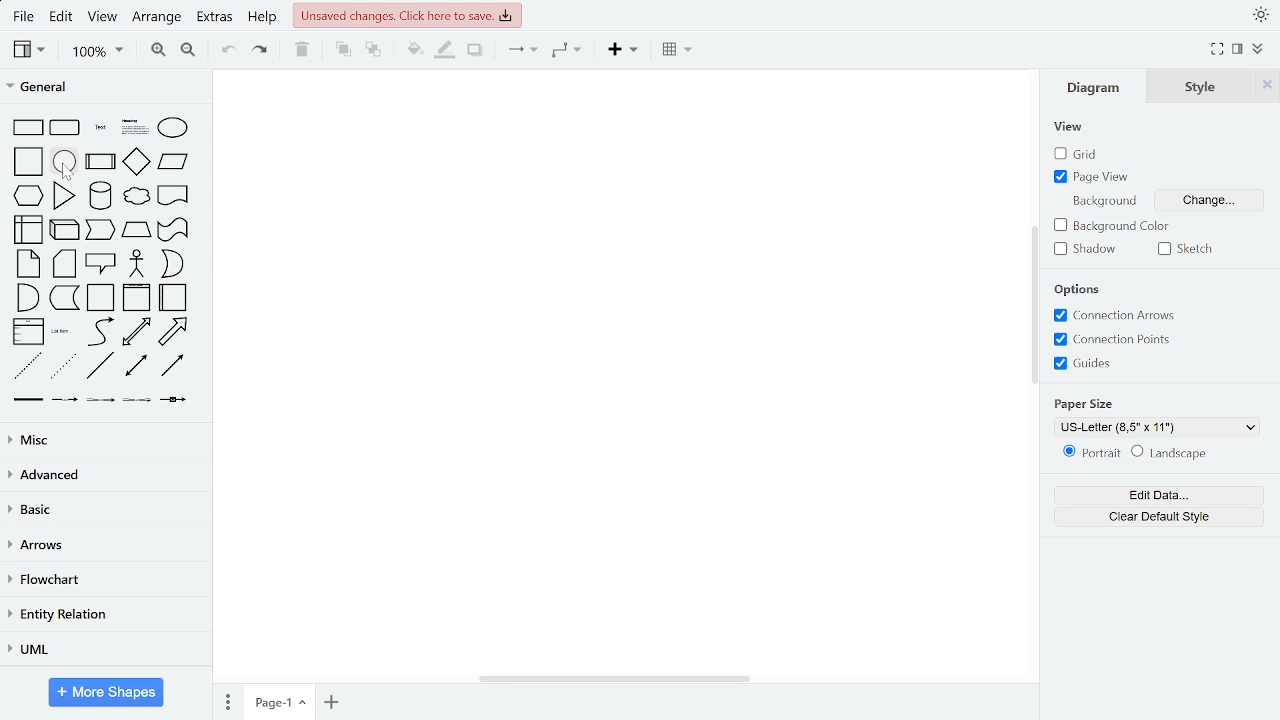 The image size is (1280, 720). Describe the element at coordinates (62, 19) in the screenshot. I see `edit` at that location.